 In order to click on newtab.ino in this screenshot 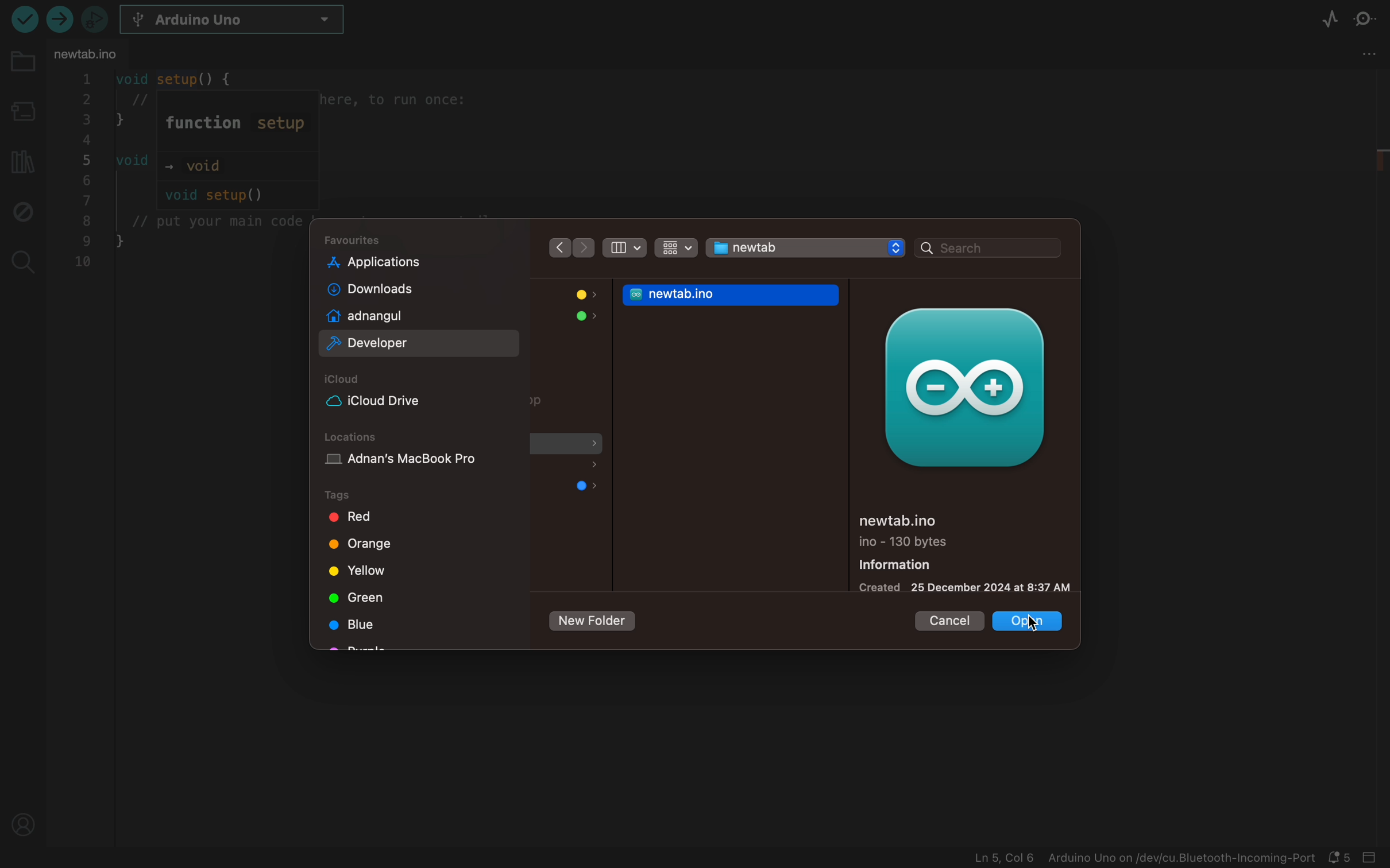, I will do `click(733, 294)`.